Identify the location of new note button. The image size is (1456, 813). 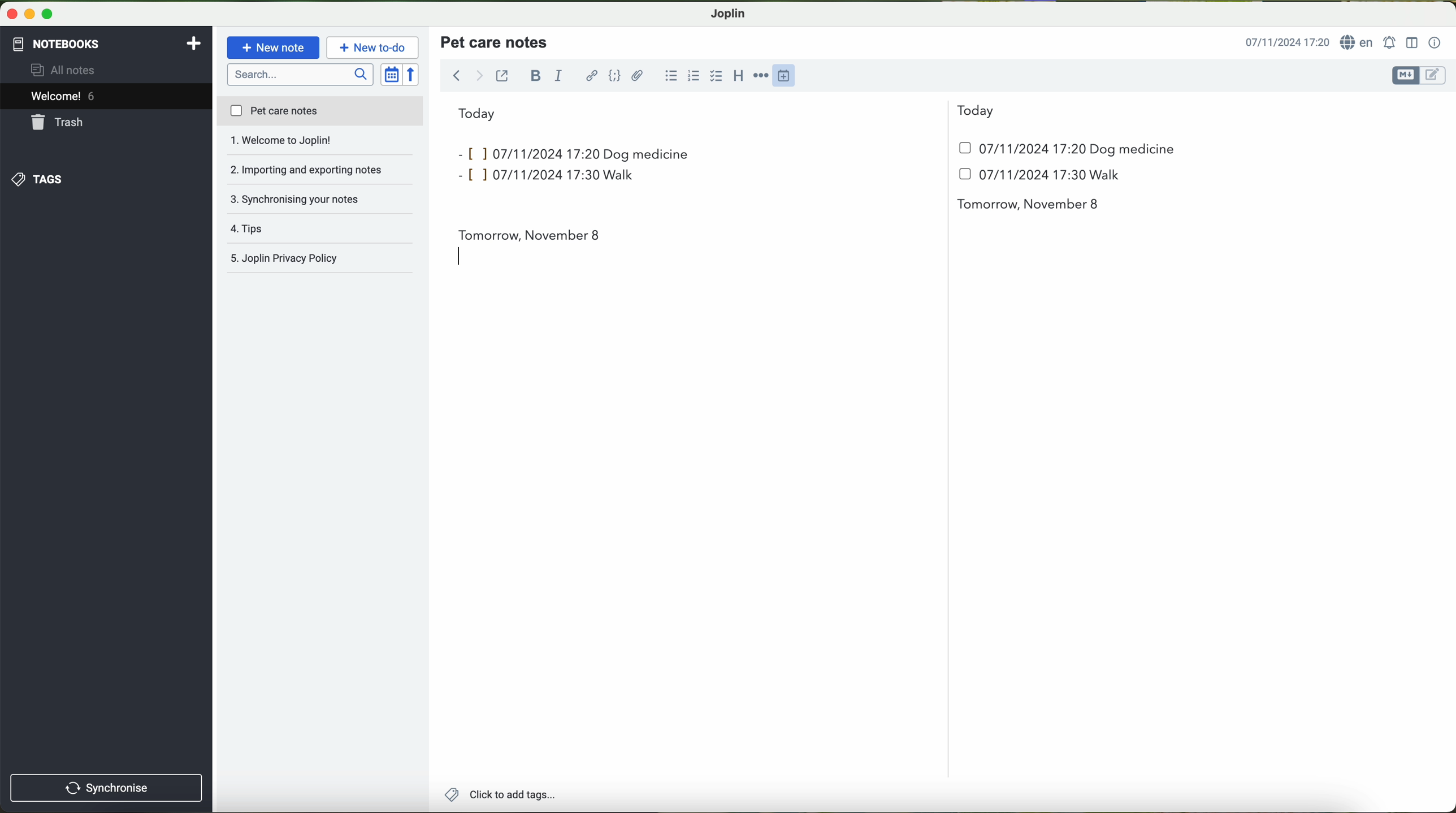
(274, 47).